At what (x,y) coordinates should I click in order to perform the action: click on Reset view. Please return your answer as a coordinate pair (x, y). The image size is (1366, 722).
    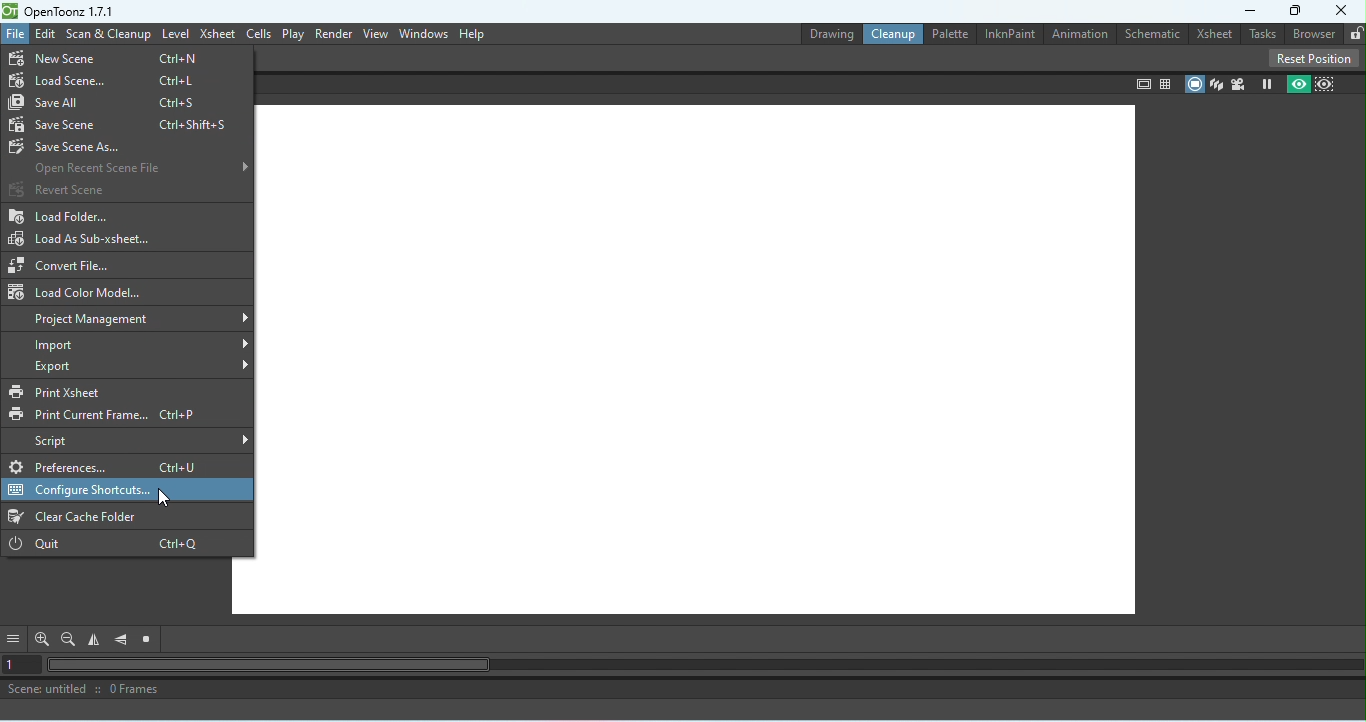
    Looking at the image, I should click on (150, 640).